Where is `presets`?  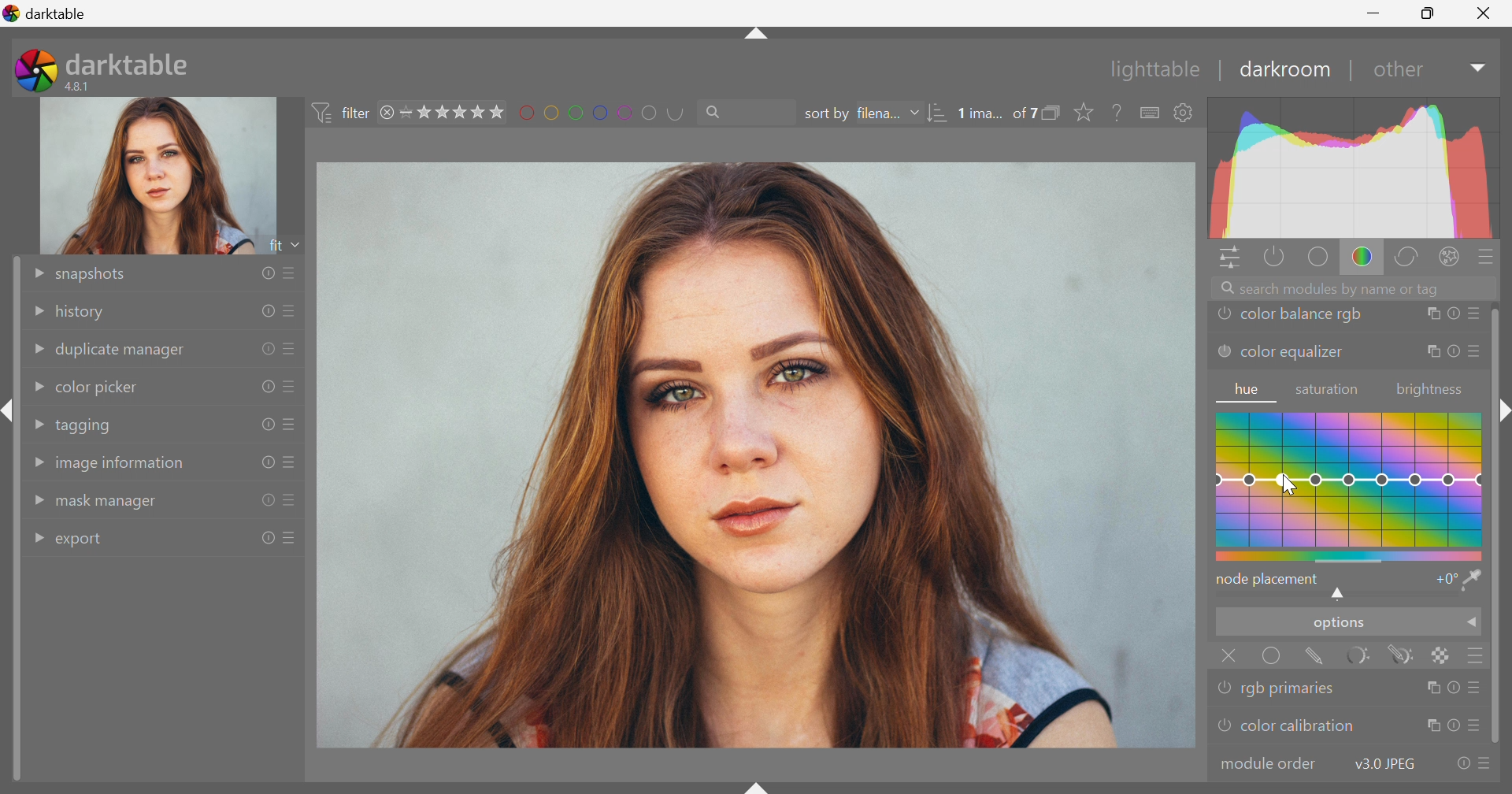 presets is located at coordinates (291, 348).